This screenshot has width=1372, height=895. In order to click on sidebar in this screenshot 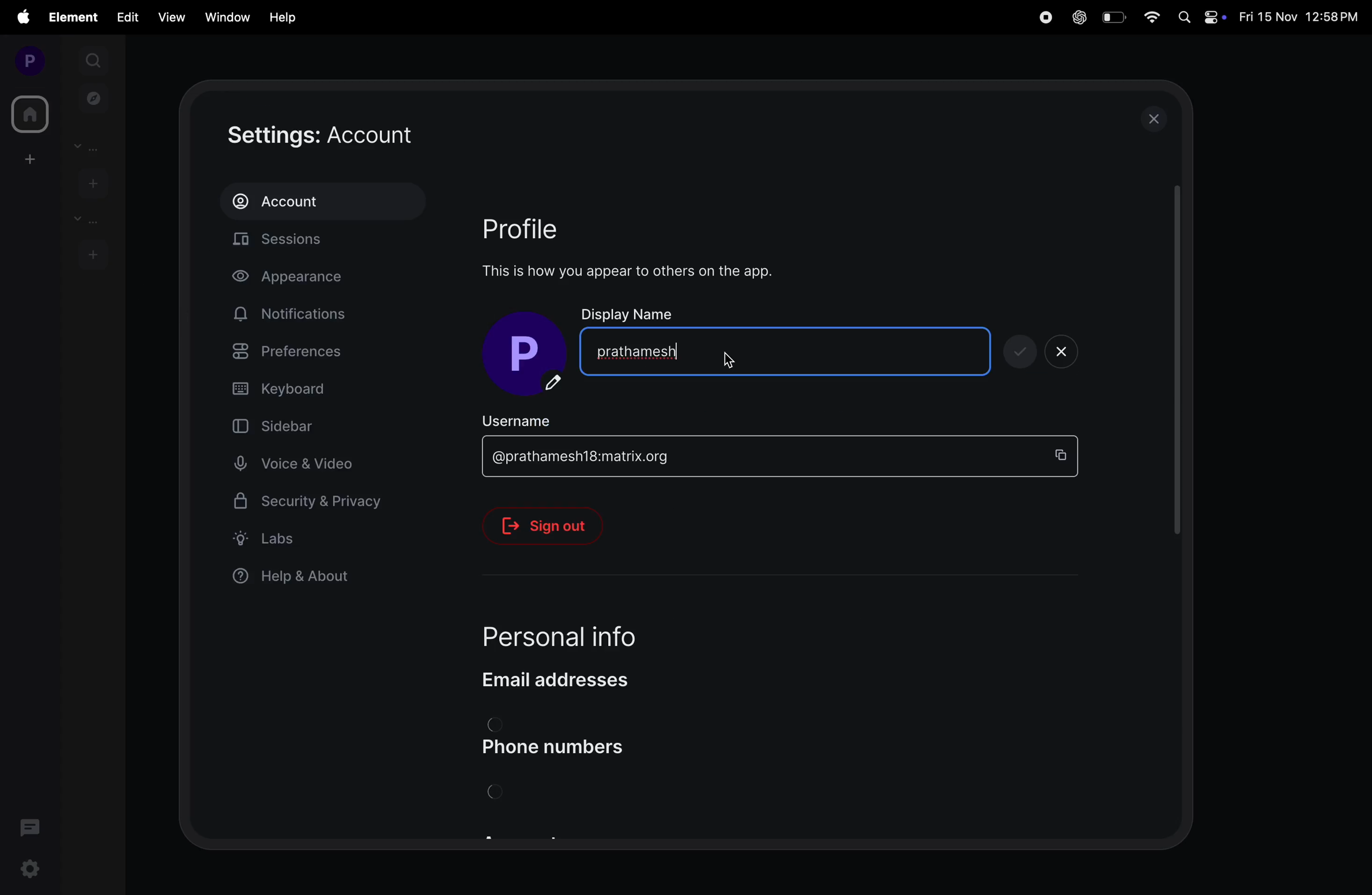, I will do `click(296, 425)`.